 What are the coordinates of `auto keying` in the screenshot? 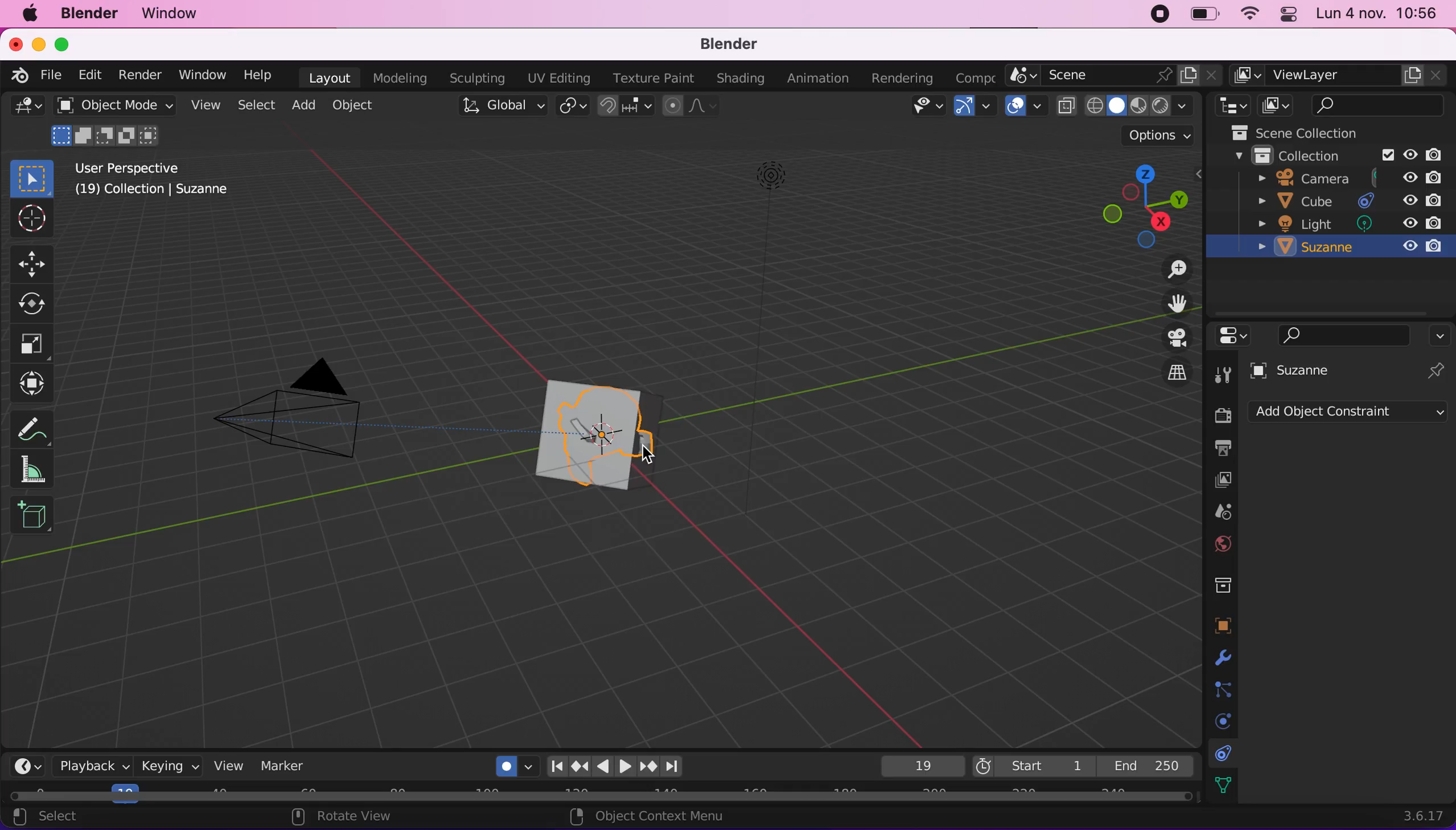 It's located at (505, 763).